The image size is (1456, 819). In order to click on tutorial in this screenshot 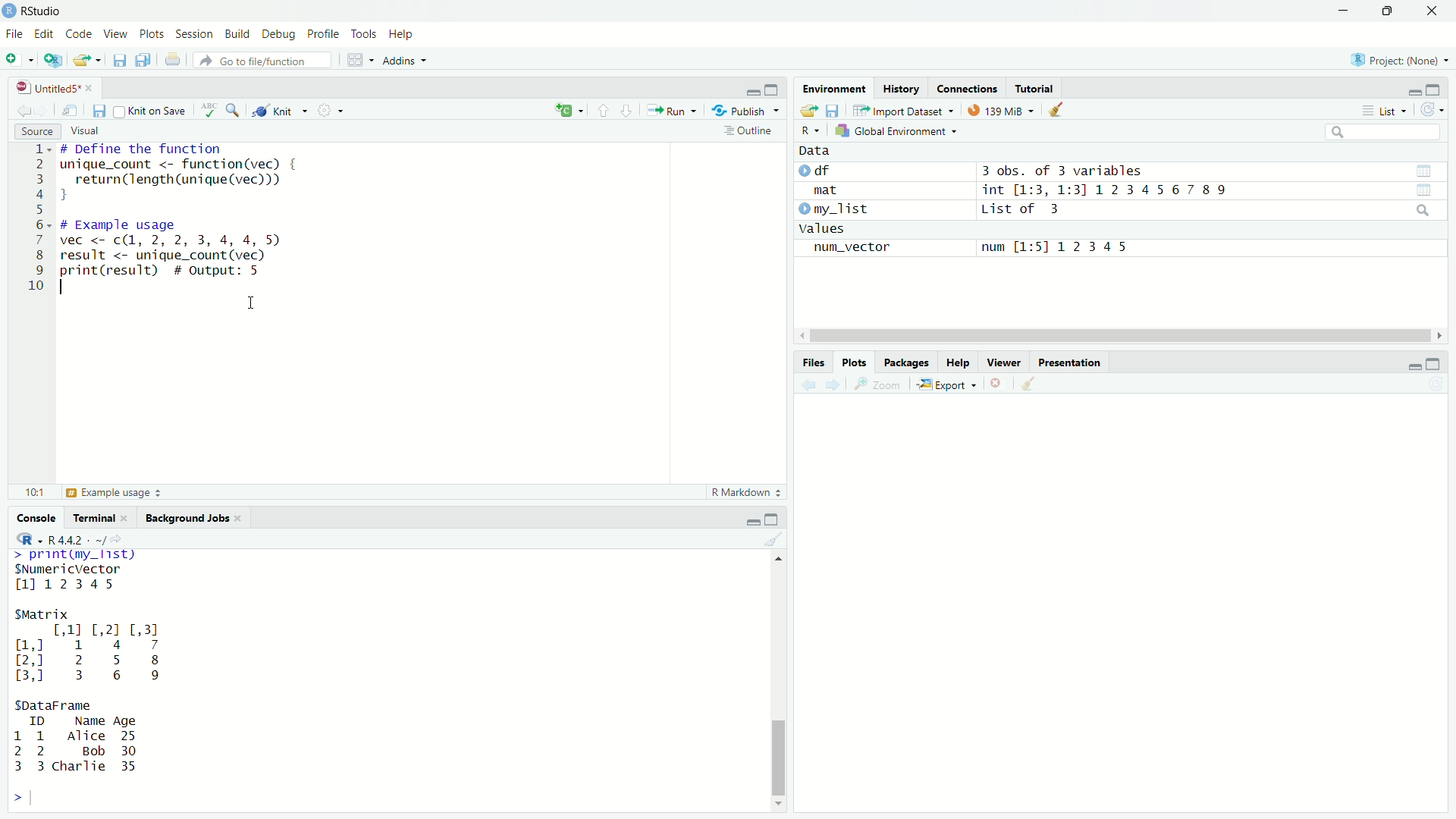, I will do `click(1037, 90)`.